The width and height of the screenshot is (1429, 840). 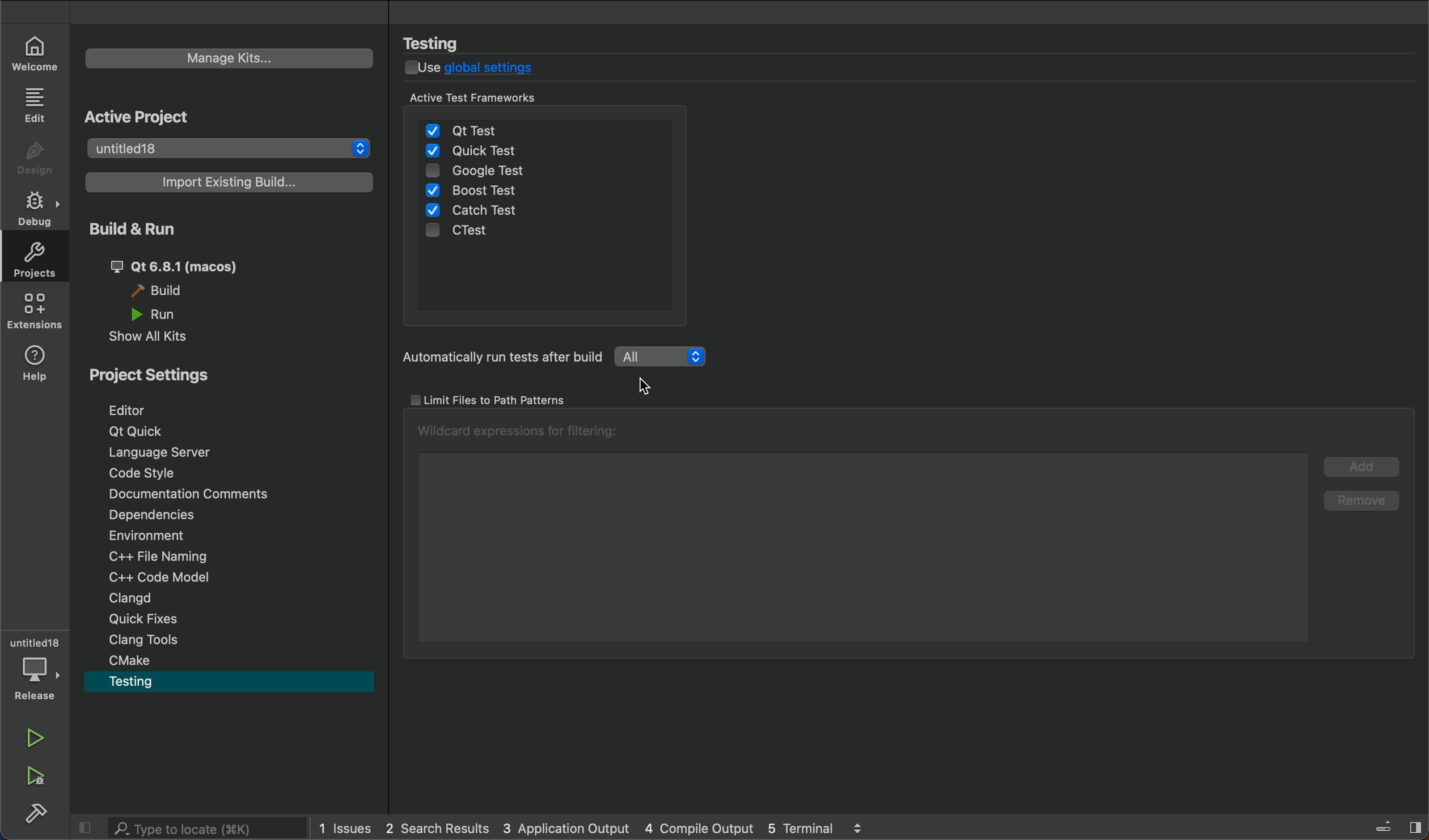 I want to click on type, so click(x=187, y=828).